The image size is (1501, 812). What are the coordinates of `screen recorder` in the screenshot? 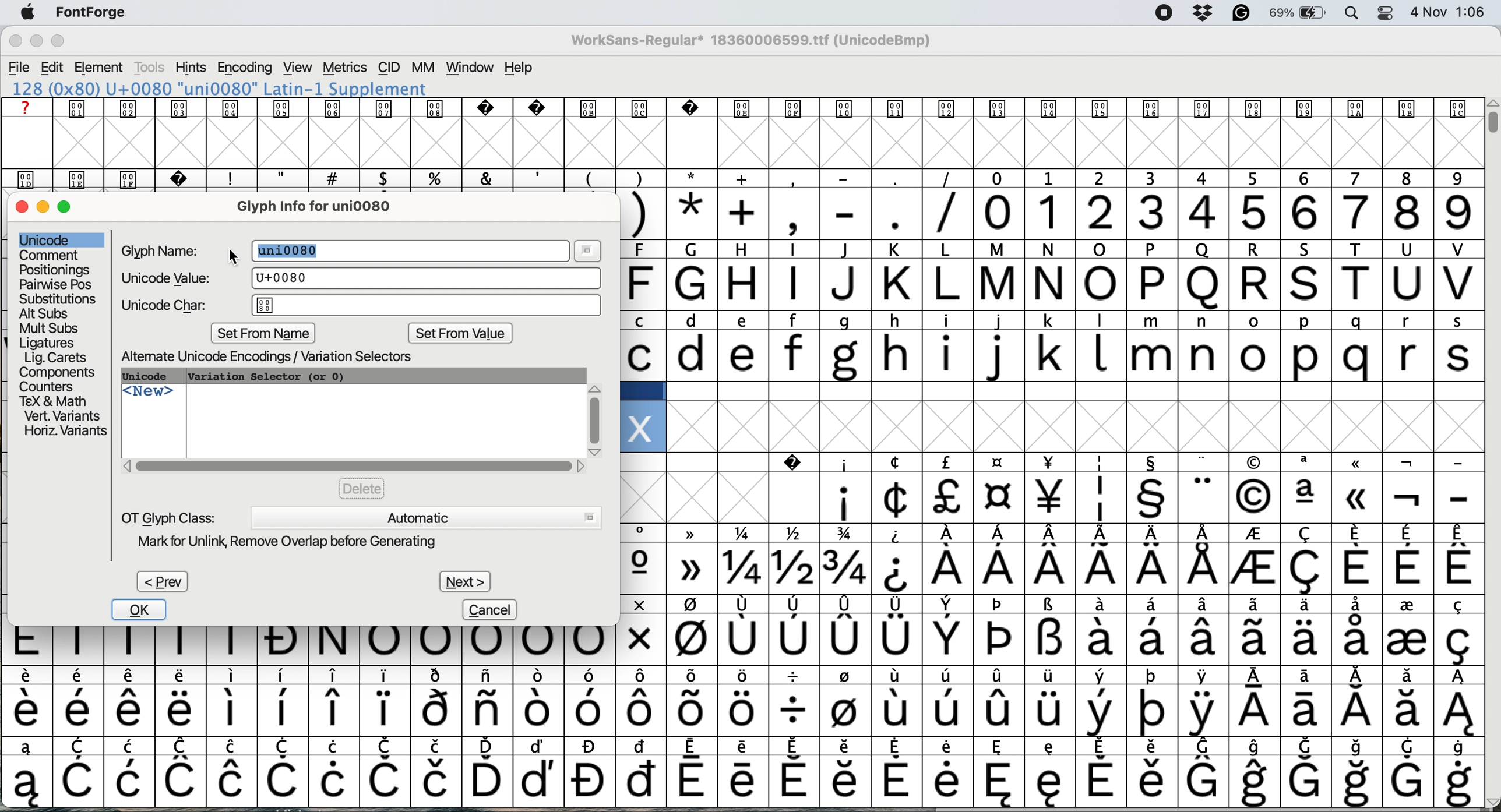 It's located at (1160, 13).